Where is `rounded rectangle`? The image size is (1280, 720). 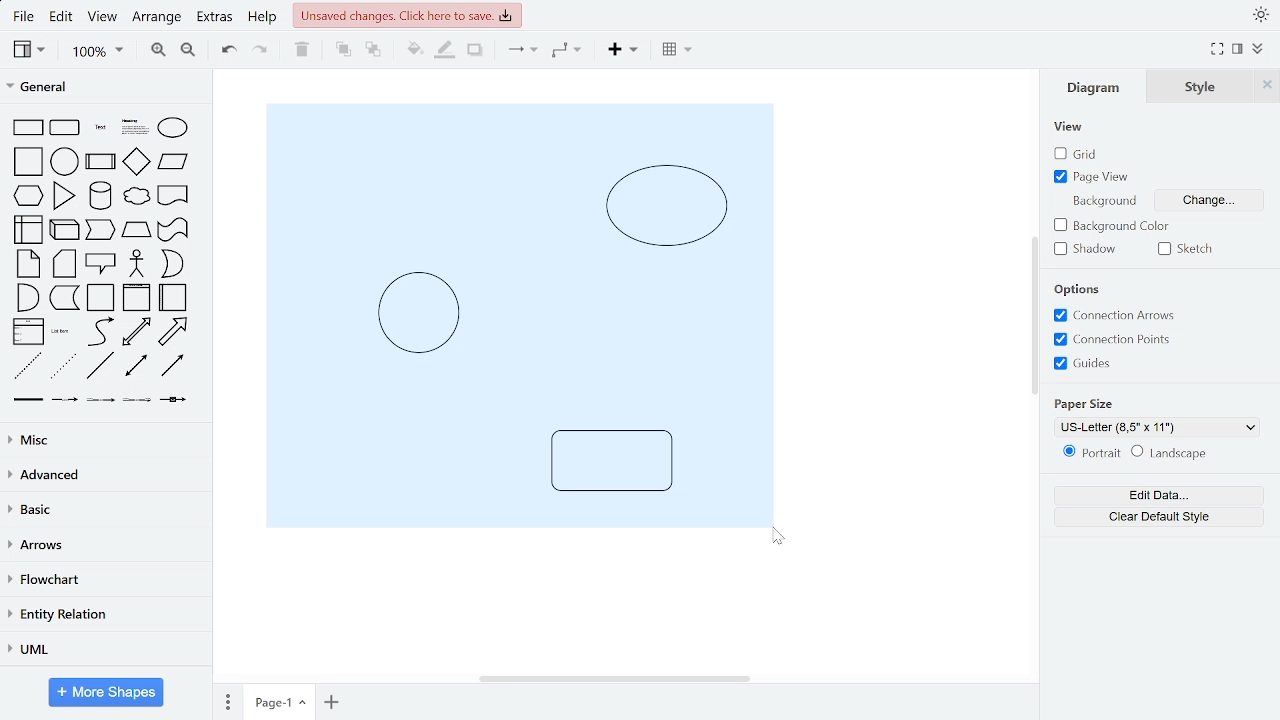
rounded rectangle is located at coordinates (66, 127).